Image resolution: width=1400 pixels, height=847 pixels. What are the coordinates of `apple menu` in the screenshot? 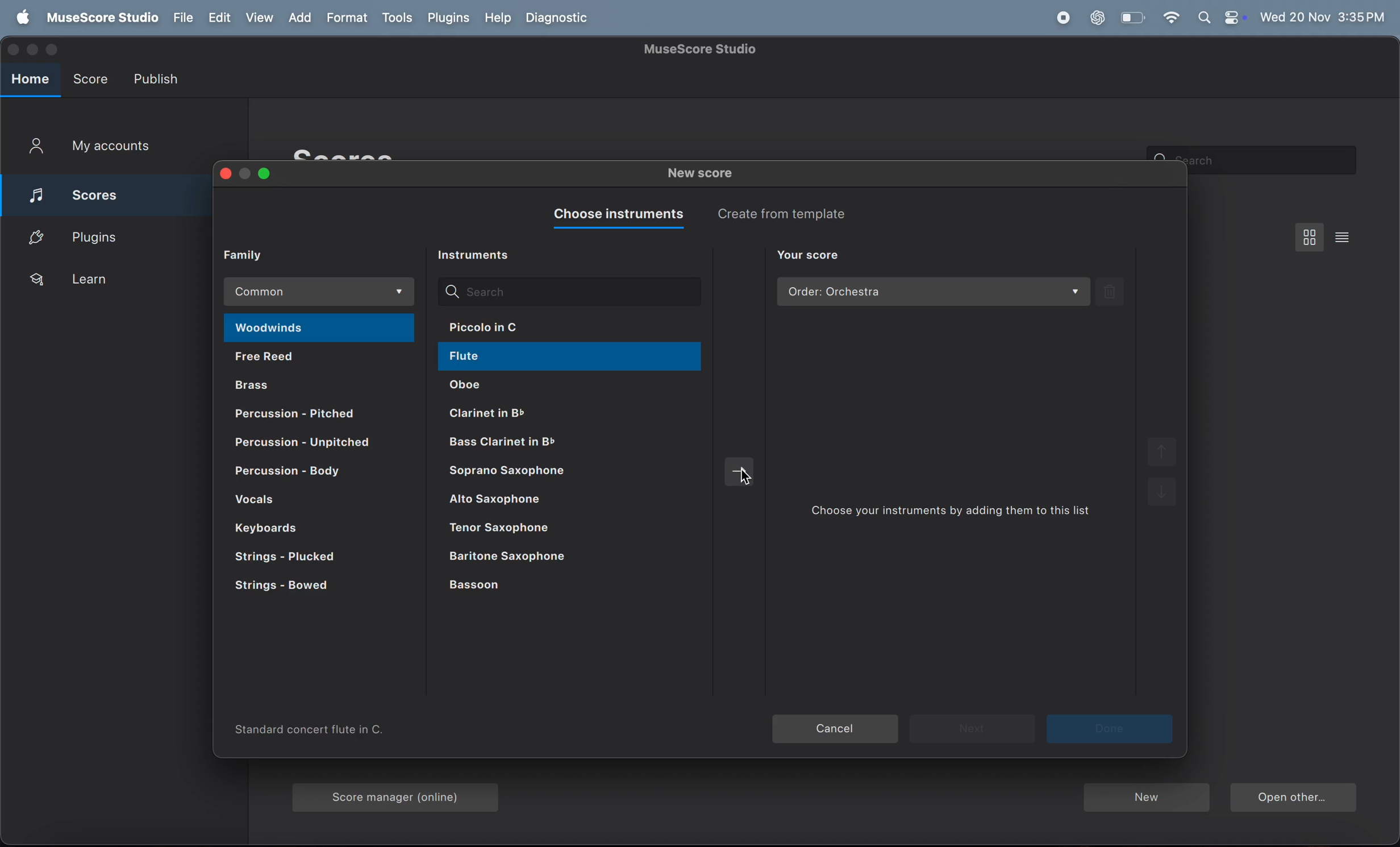 It's located at (19, 18).